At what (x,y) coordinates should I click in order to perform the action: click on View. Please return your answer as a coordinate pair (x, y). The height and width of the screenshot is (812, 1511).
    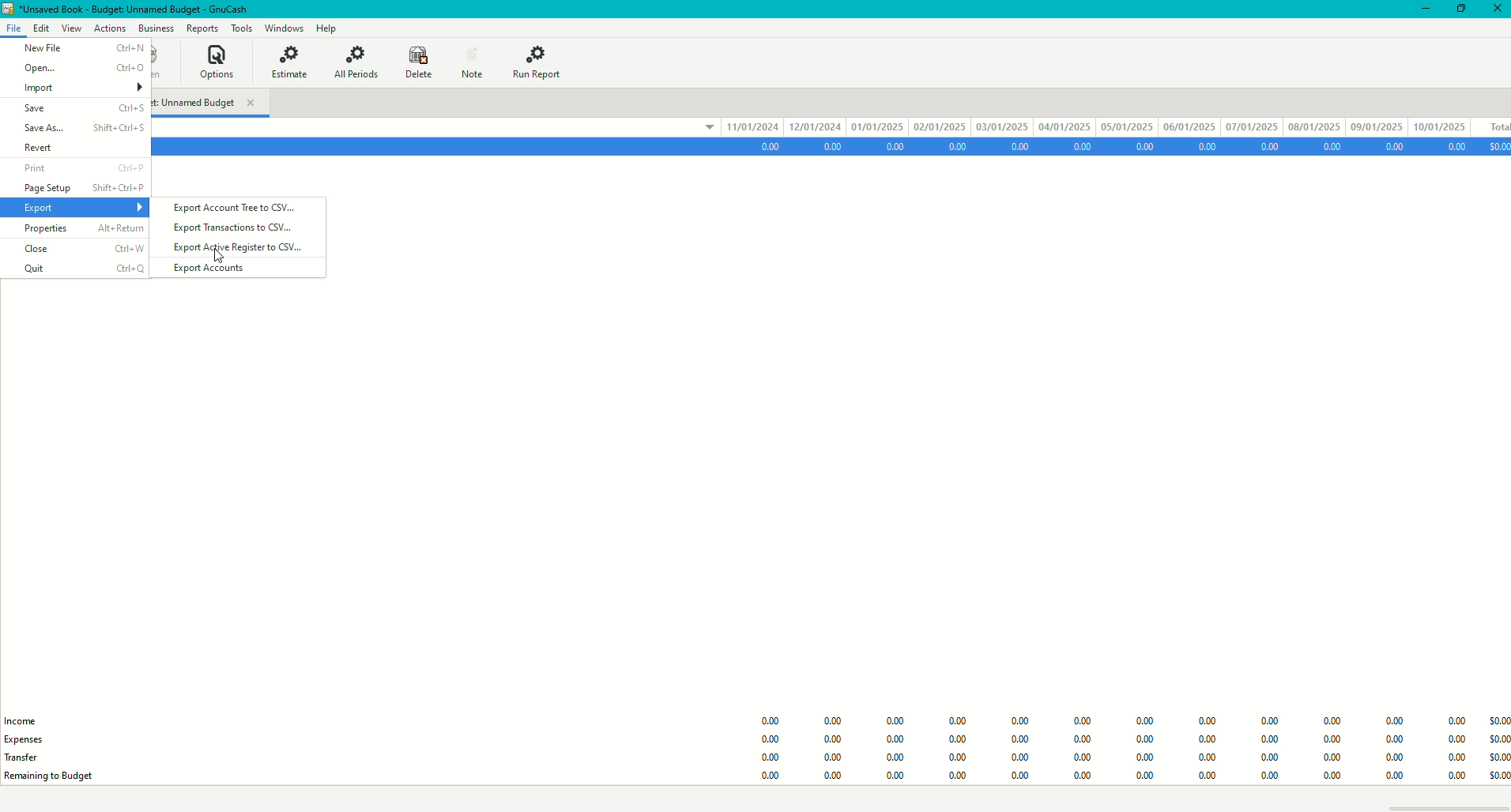
    Looking at the image, I should click on (69, 26).